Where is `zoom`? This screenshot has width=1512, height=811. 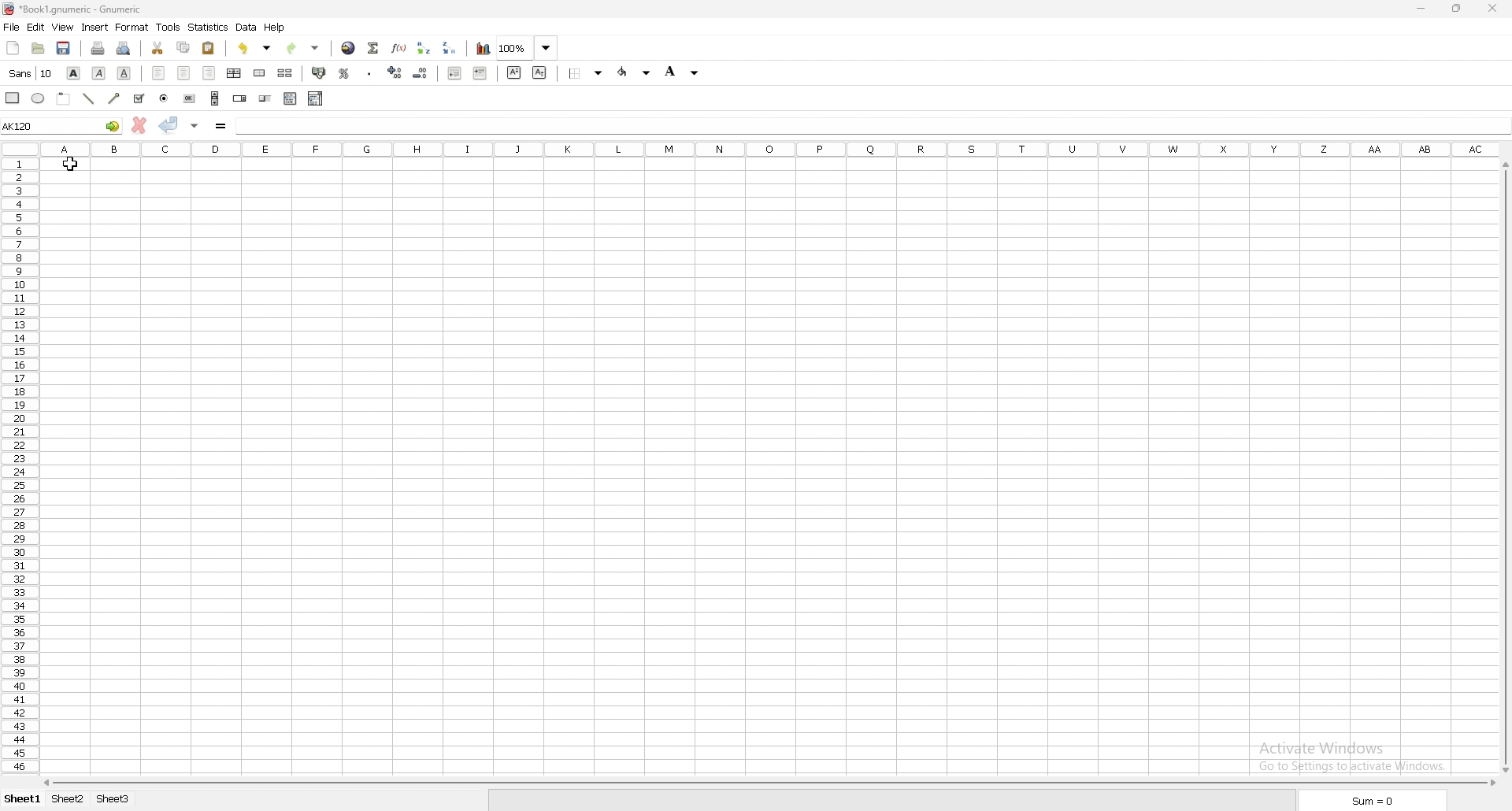 zoom is located at coordinates (527, 48).